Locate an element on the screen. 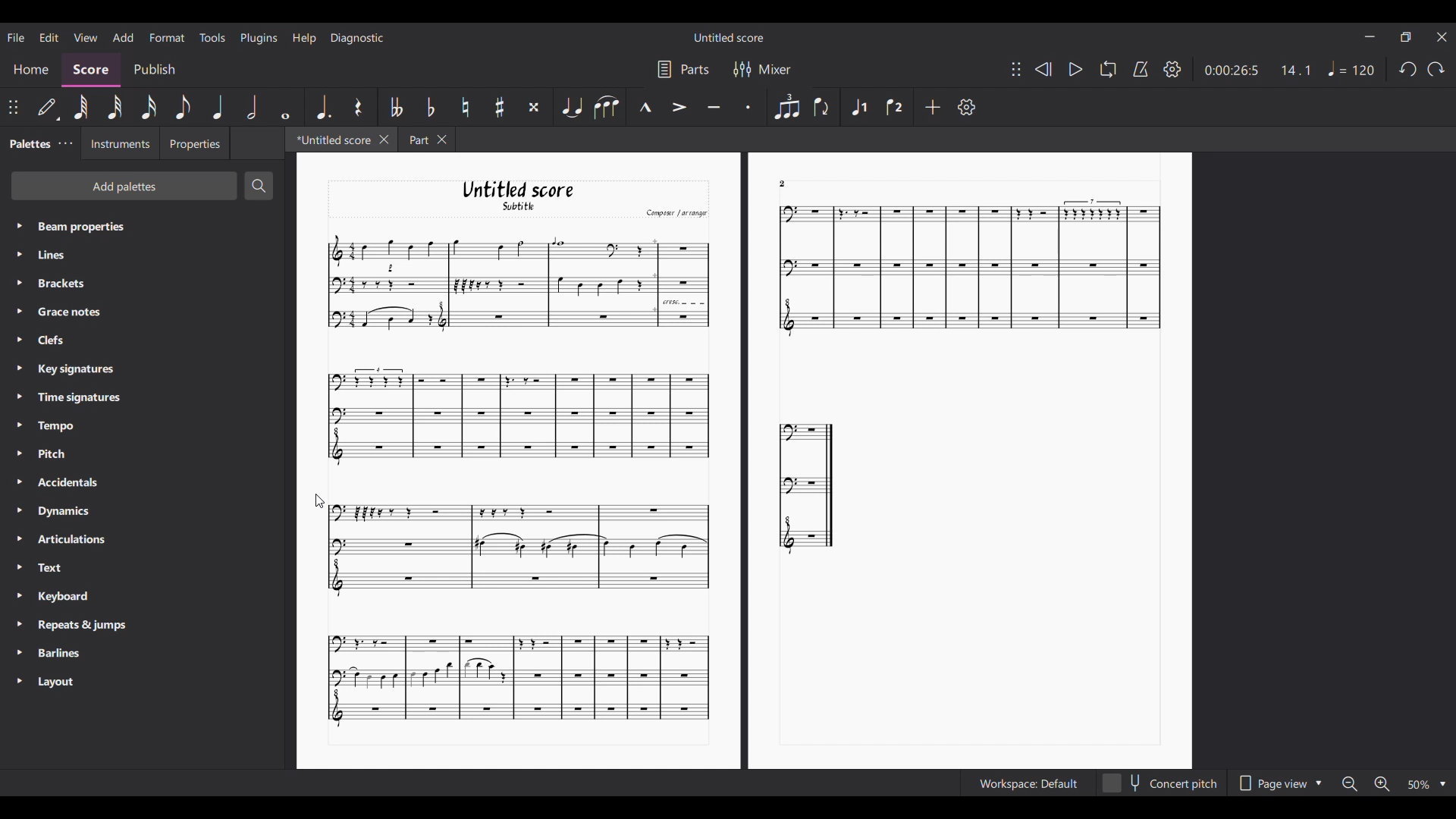  Add menu is located at coordinates (122, 36).